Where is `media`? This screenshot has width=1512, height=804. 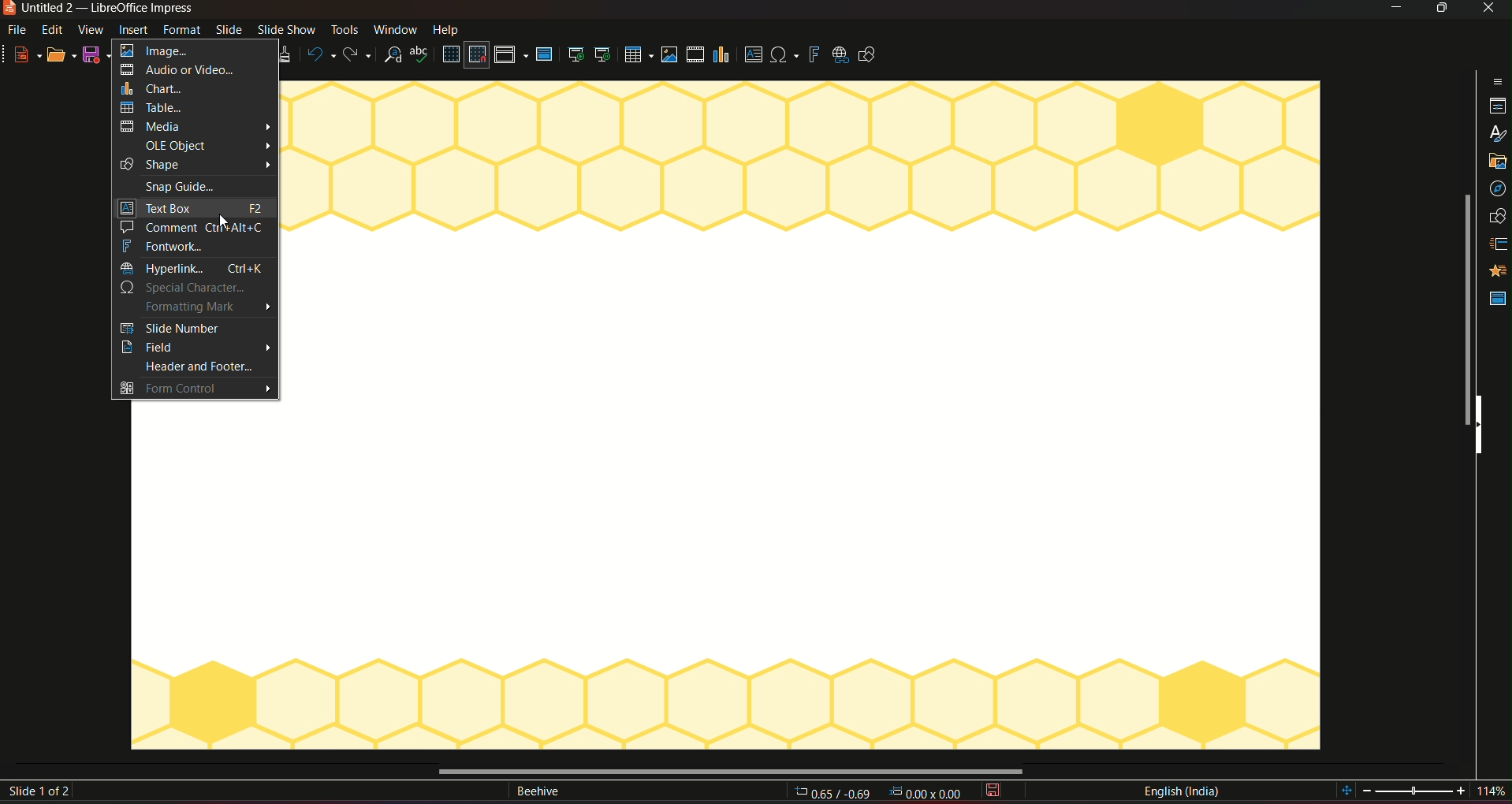
media is located at coordinates (196, 127).